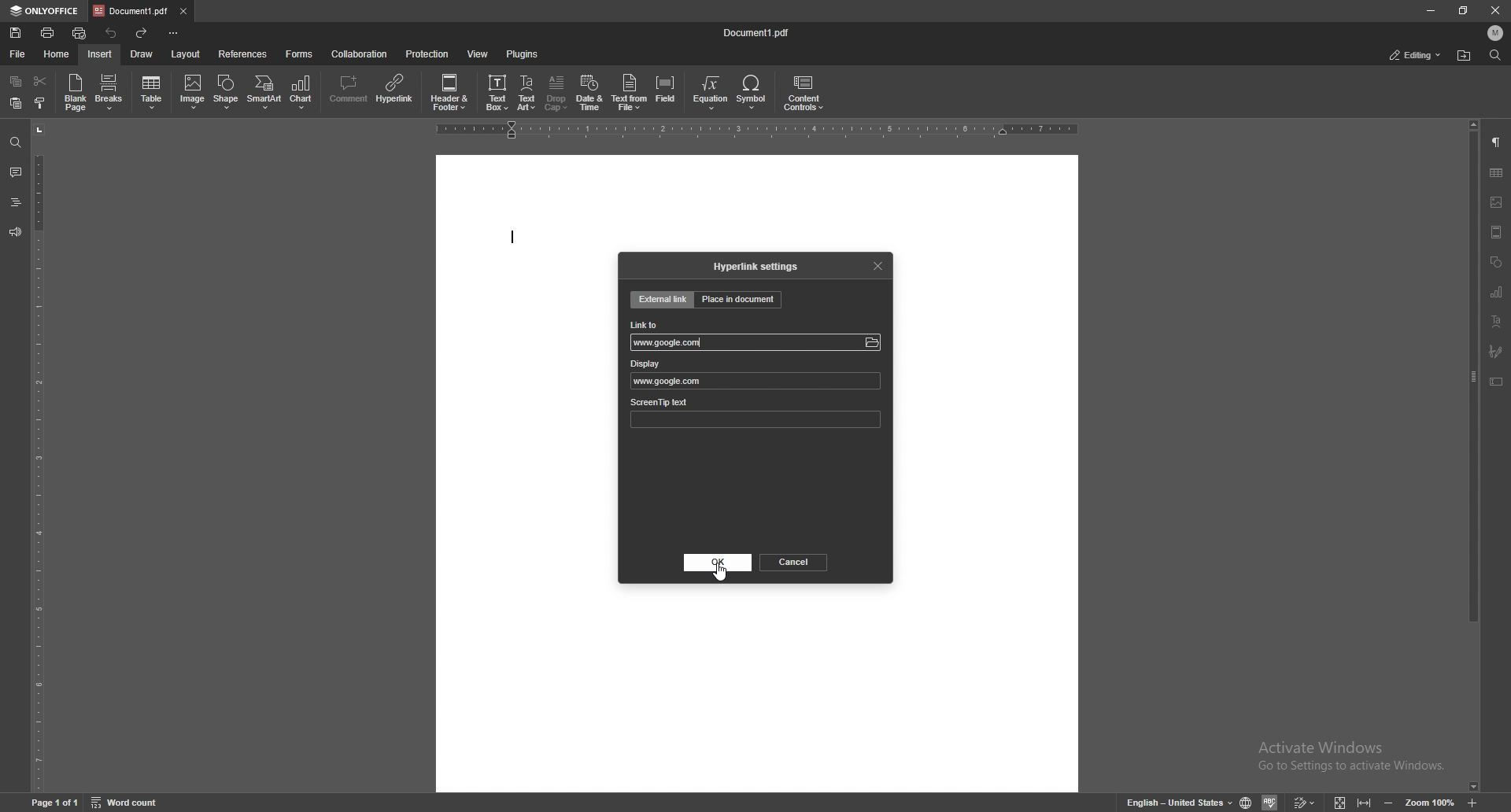  What do you see at coordinates (428, 54) in the screenshot?
I see `protection` at bounding box center [428, 54].